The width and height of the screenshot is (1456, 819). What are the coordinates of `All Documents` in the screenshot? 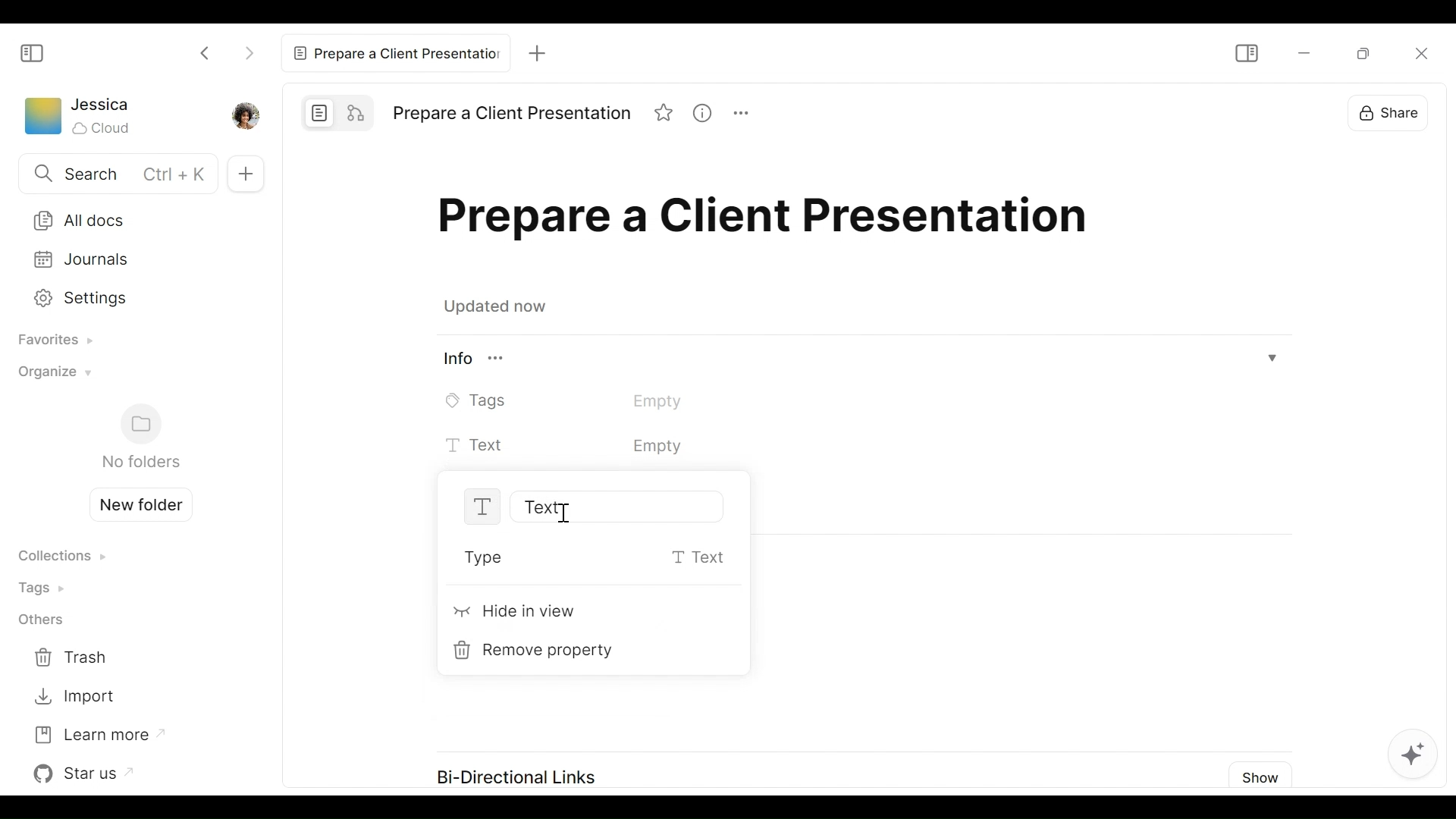 It's located at (130, 219).